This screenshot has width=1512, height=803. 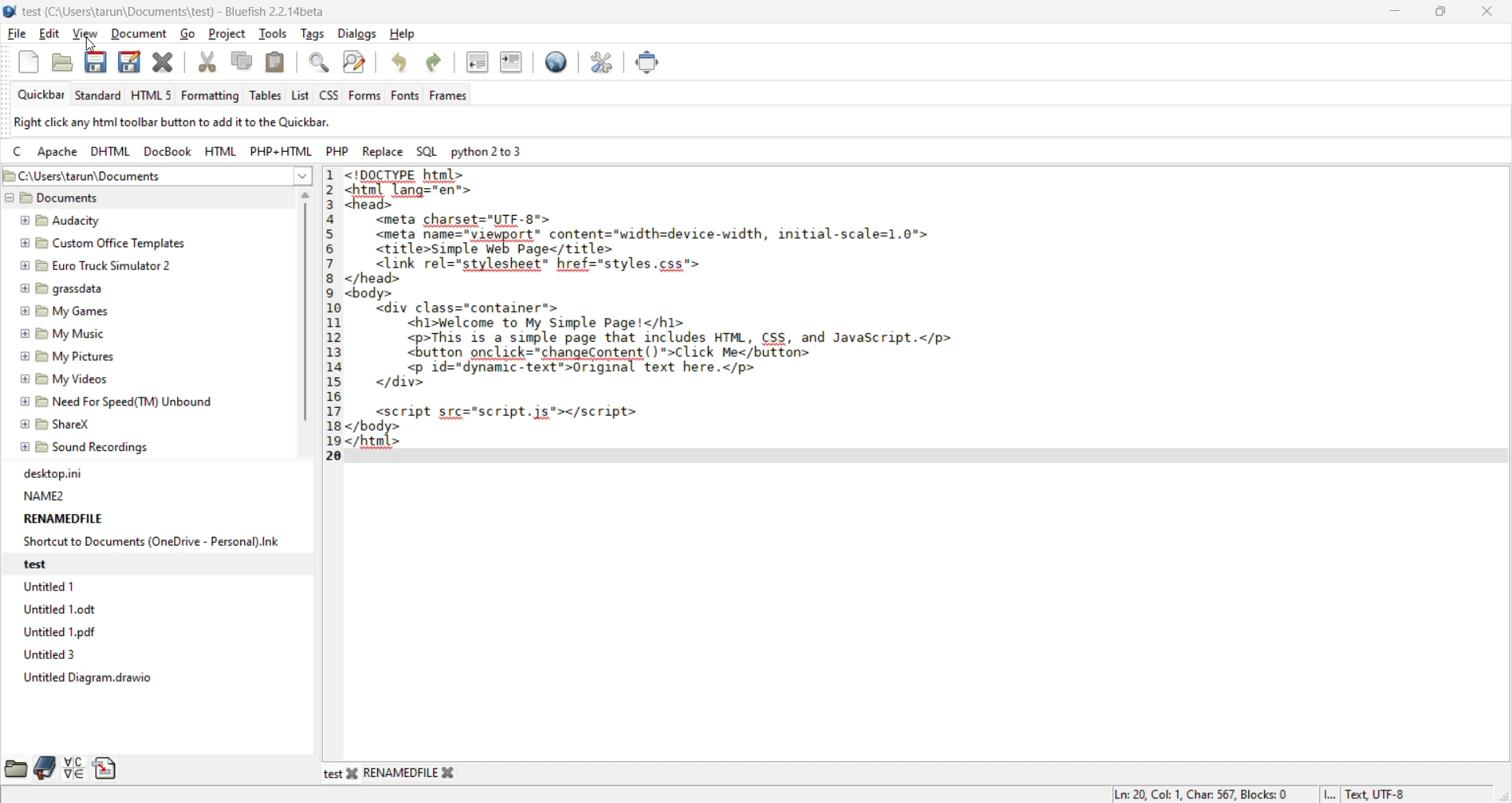 I want to click on tables, so click(x=267, y=94).